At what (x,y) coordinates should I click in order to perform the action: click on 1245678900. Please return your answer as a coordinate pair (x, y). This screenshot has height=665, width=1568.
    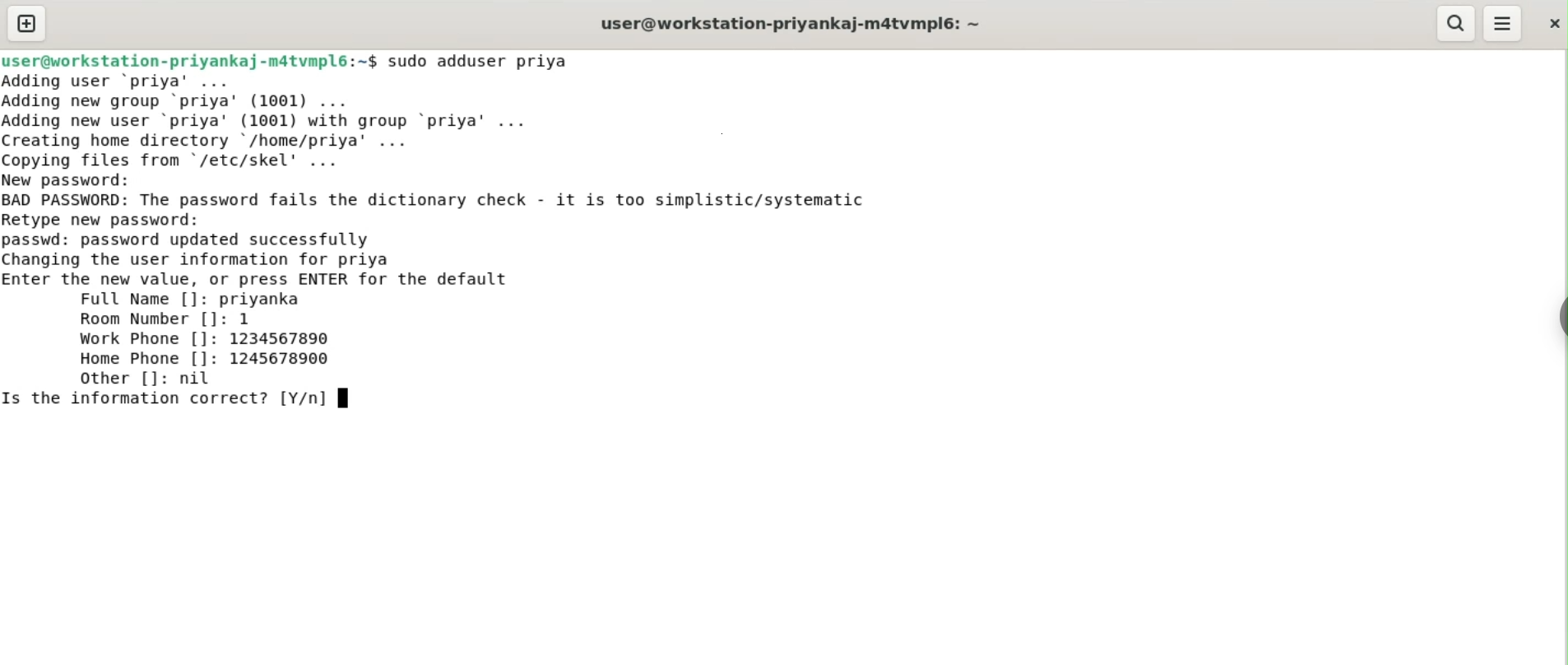
    Looking at the image, I should click on (285, 360).